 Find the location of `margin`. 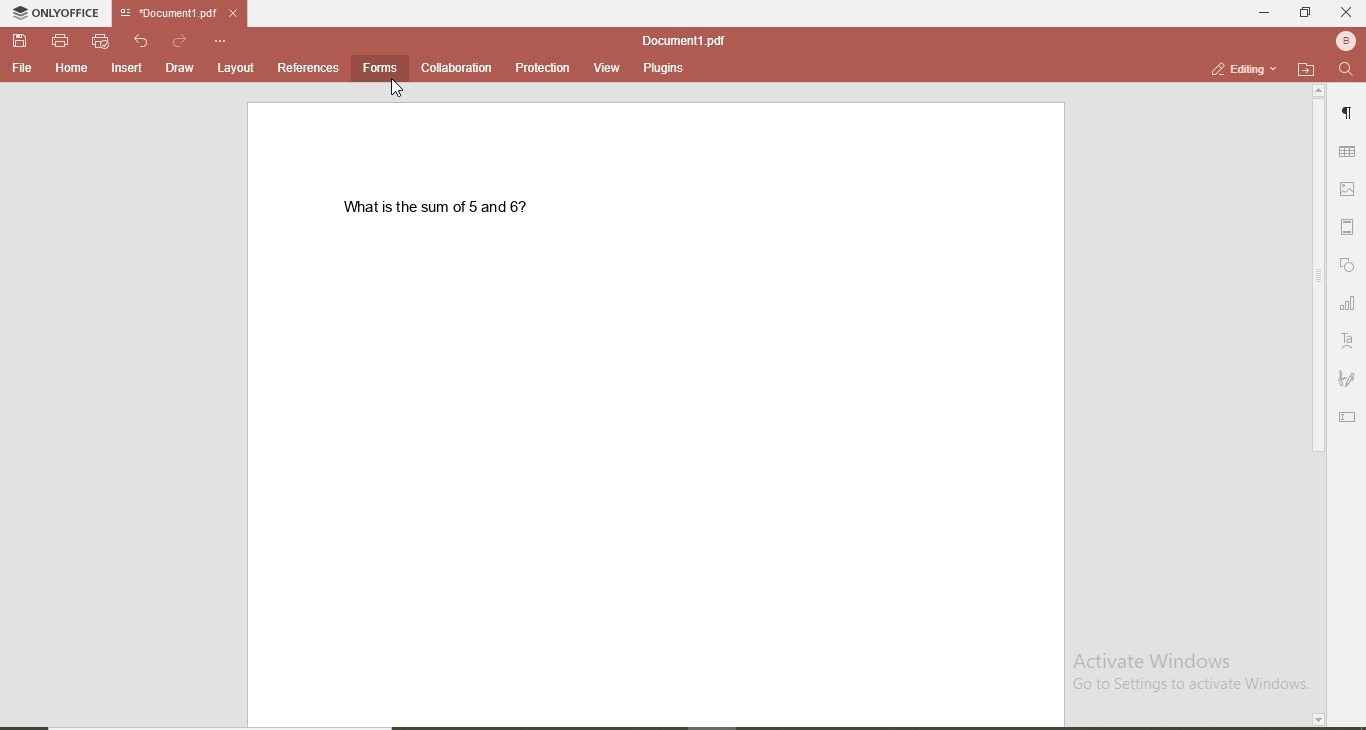

margin is located at coordinates (1350, 229).